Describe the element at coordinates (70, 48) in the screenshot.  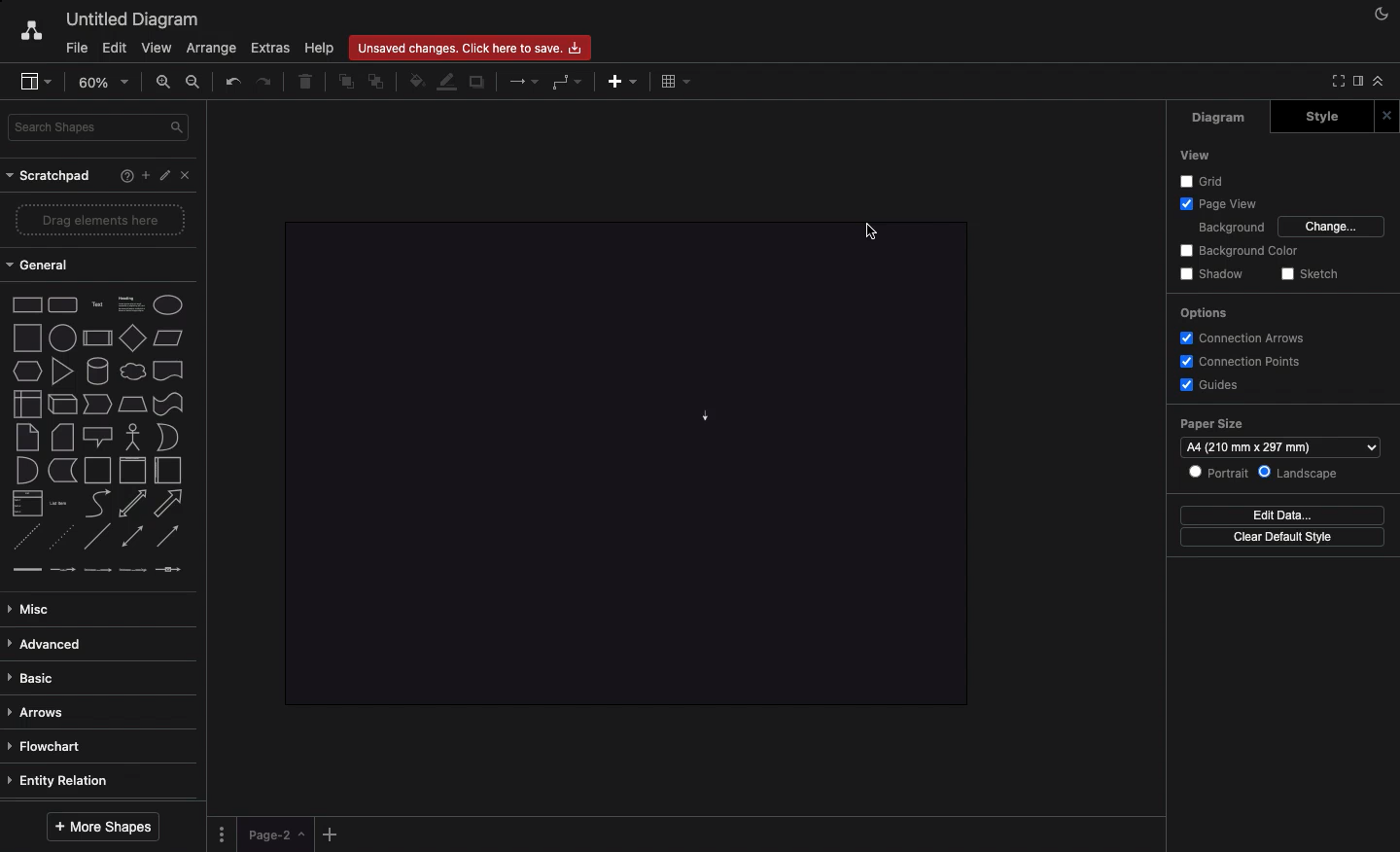
I see `File` at that location.